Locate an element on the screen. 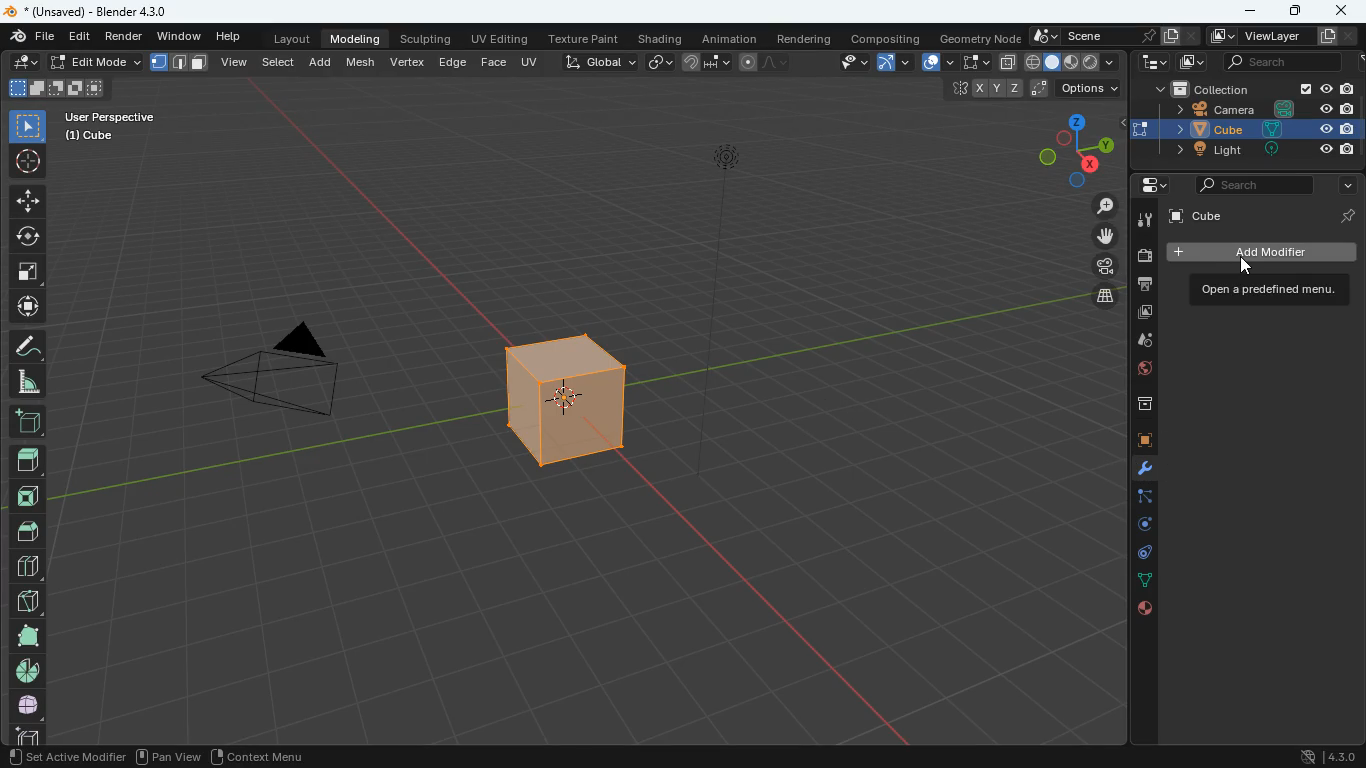  edit mode is located at coordinates (93, 63).